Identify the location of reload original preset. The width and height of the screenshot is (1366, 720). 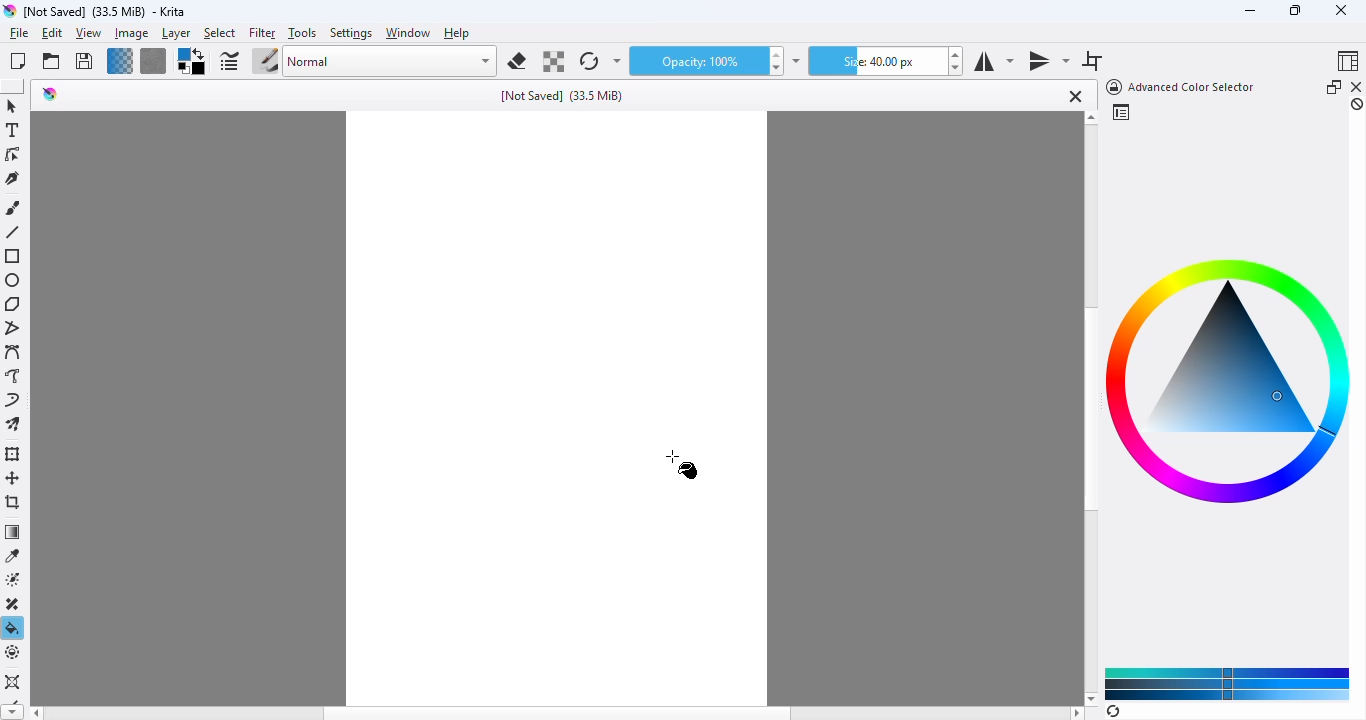
(590, 61).